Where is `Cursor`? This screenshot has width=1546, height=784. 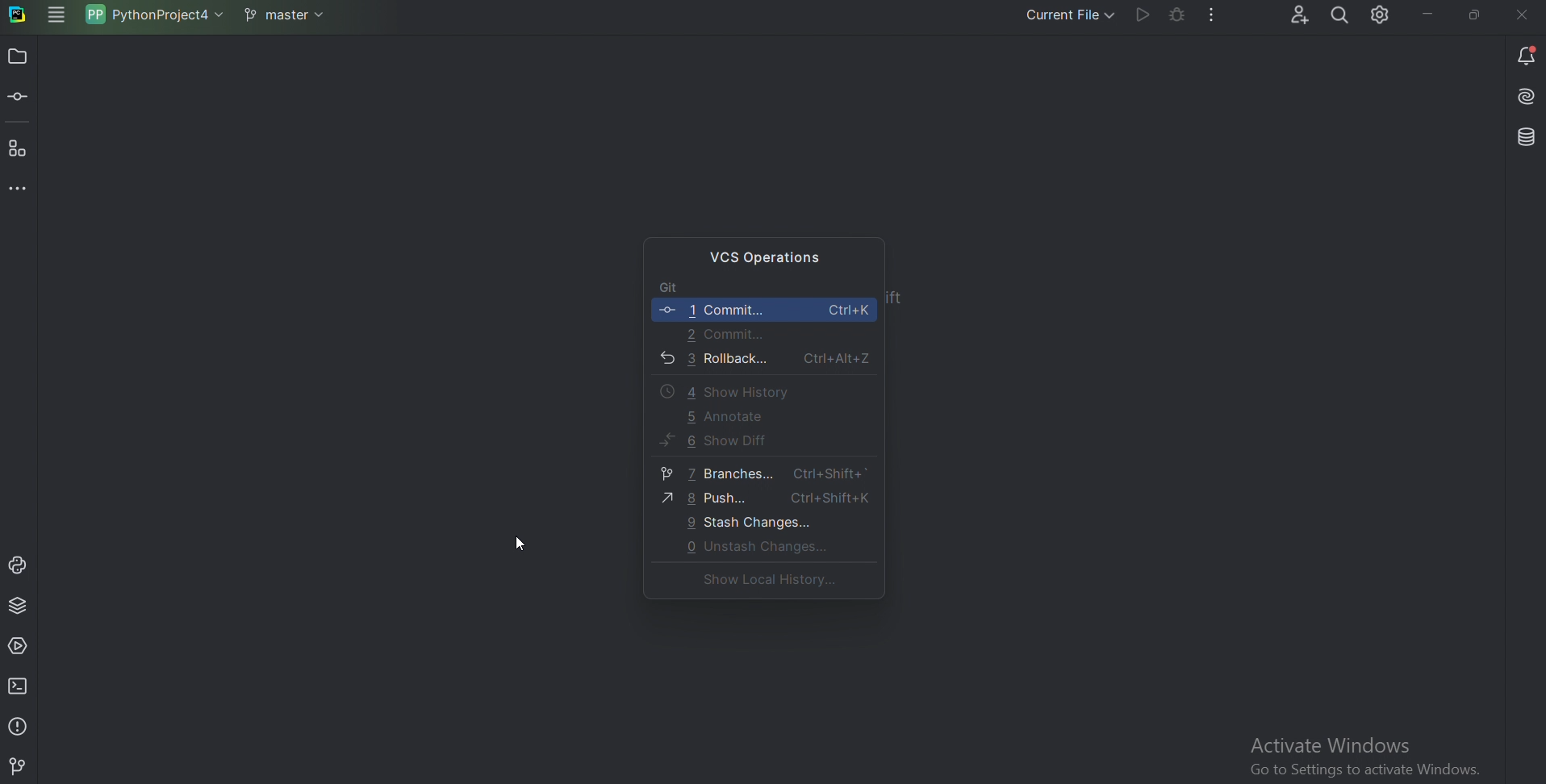 Cursor is located at coordinates (524, 546).